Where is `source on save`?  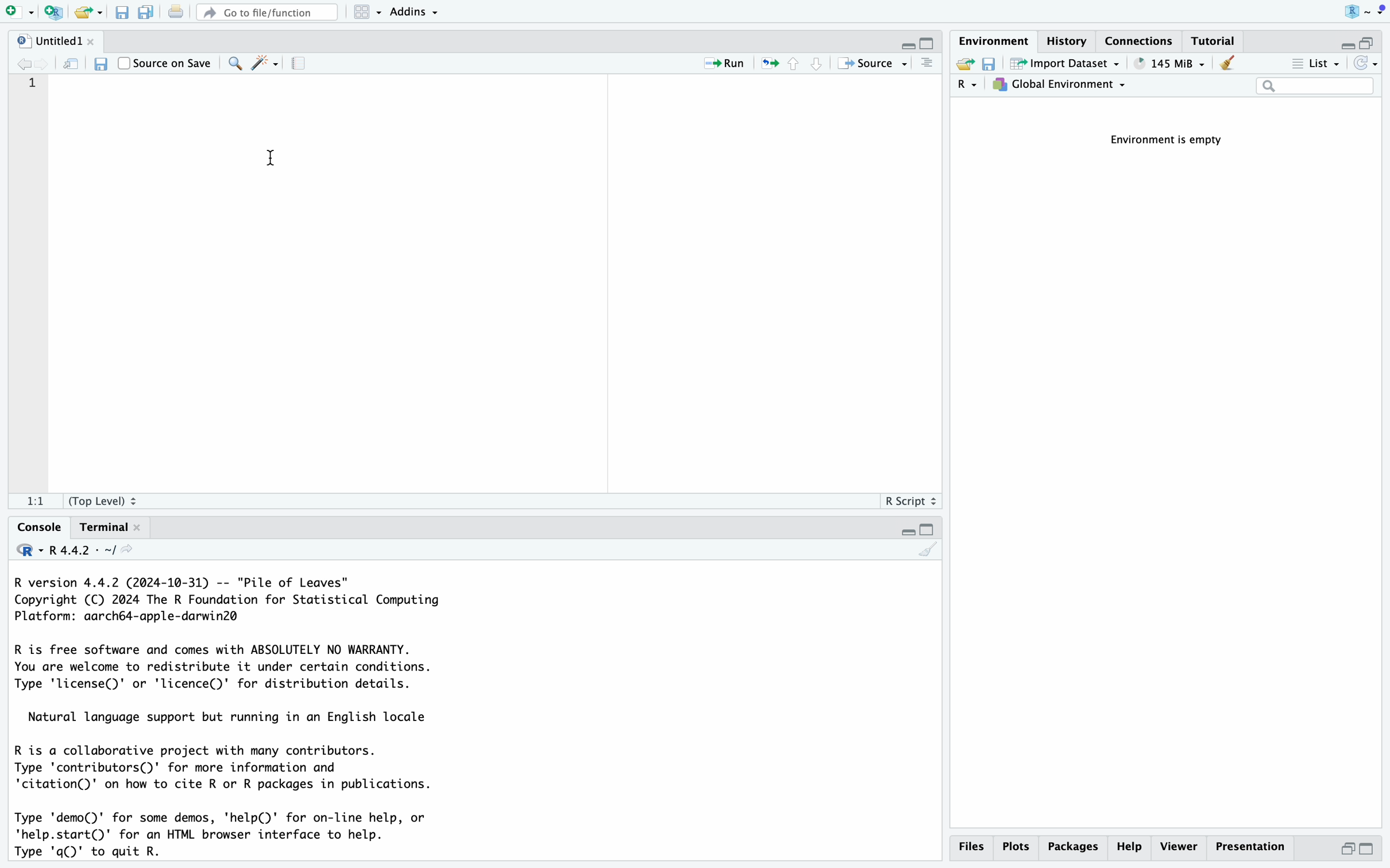 source on save is located at coordinates (167, 63).